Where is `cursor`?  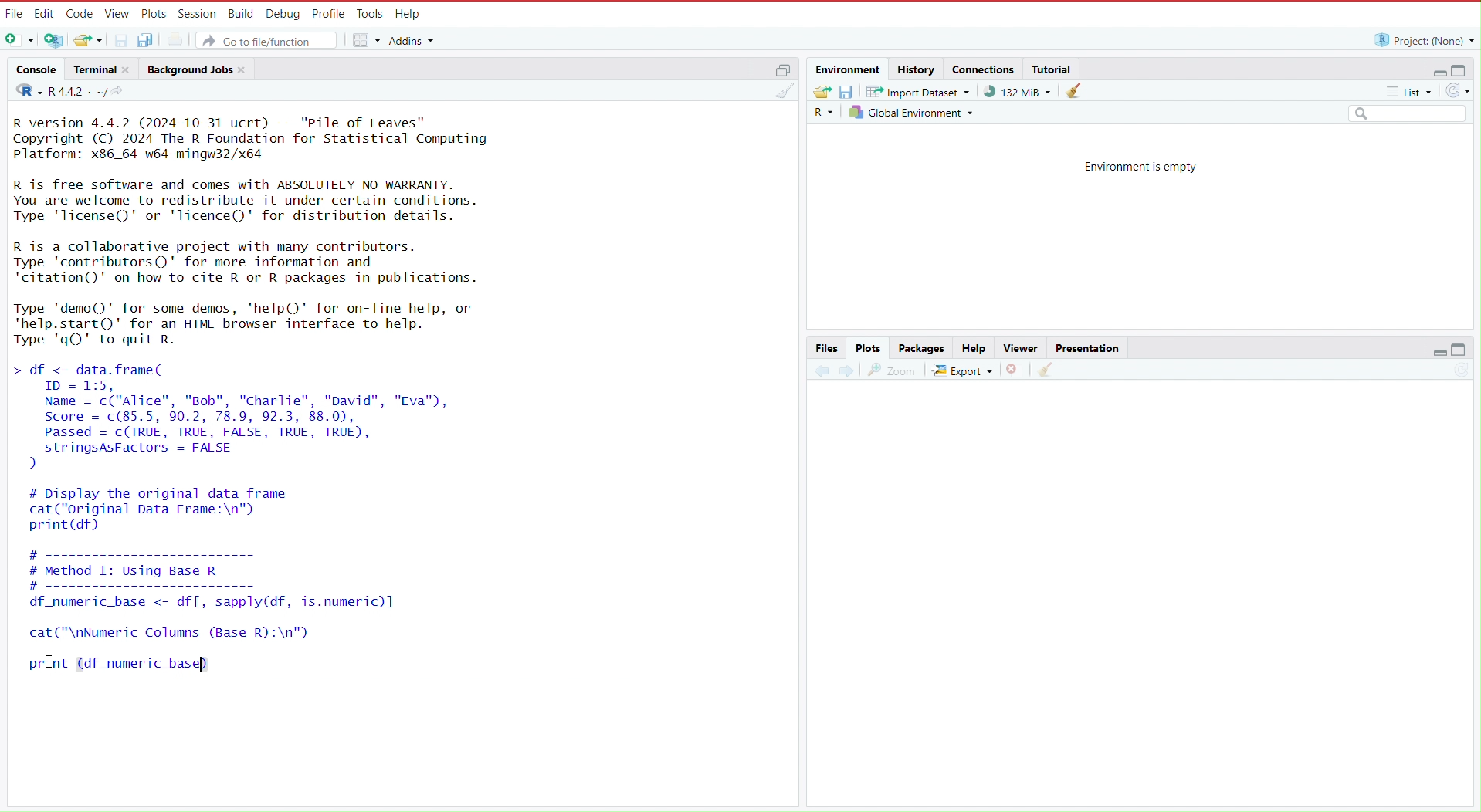
cursor is located at coordinates (51, 660).